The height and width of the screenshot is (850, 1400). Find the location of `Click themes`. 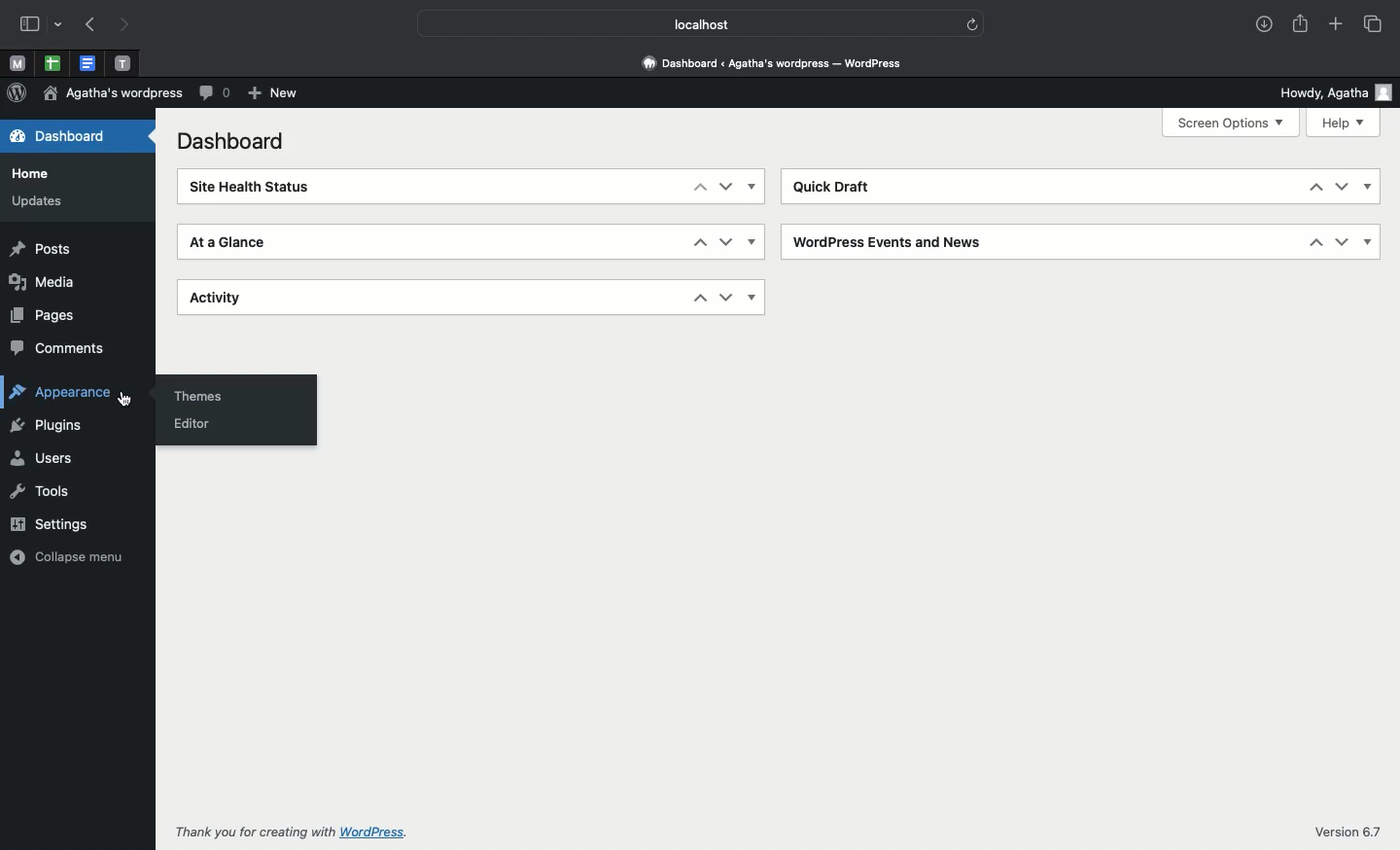

Click themes is located at coordinates (201, 394).